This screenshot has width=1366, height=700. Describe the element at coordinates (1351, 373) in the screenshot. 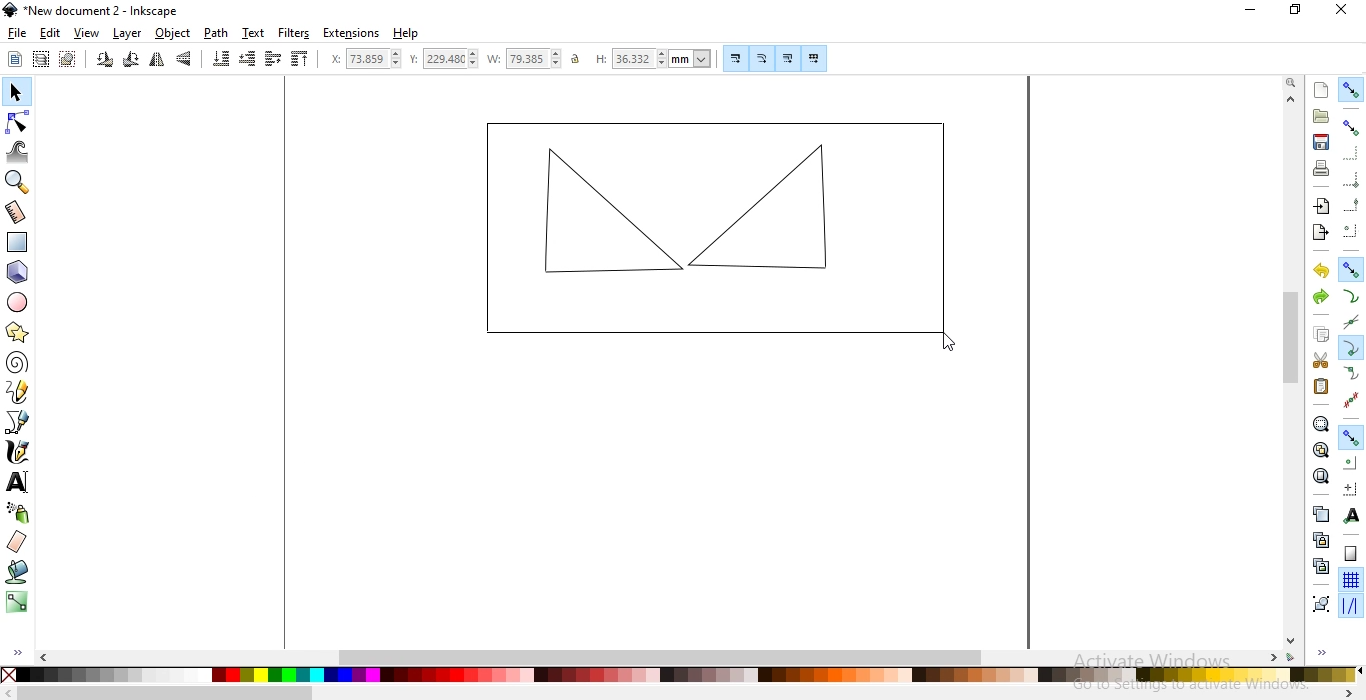

I see `snap smooth nodes incl quadrant points of ellipses` at that location.